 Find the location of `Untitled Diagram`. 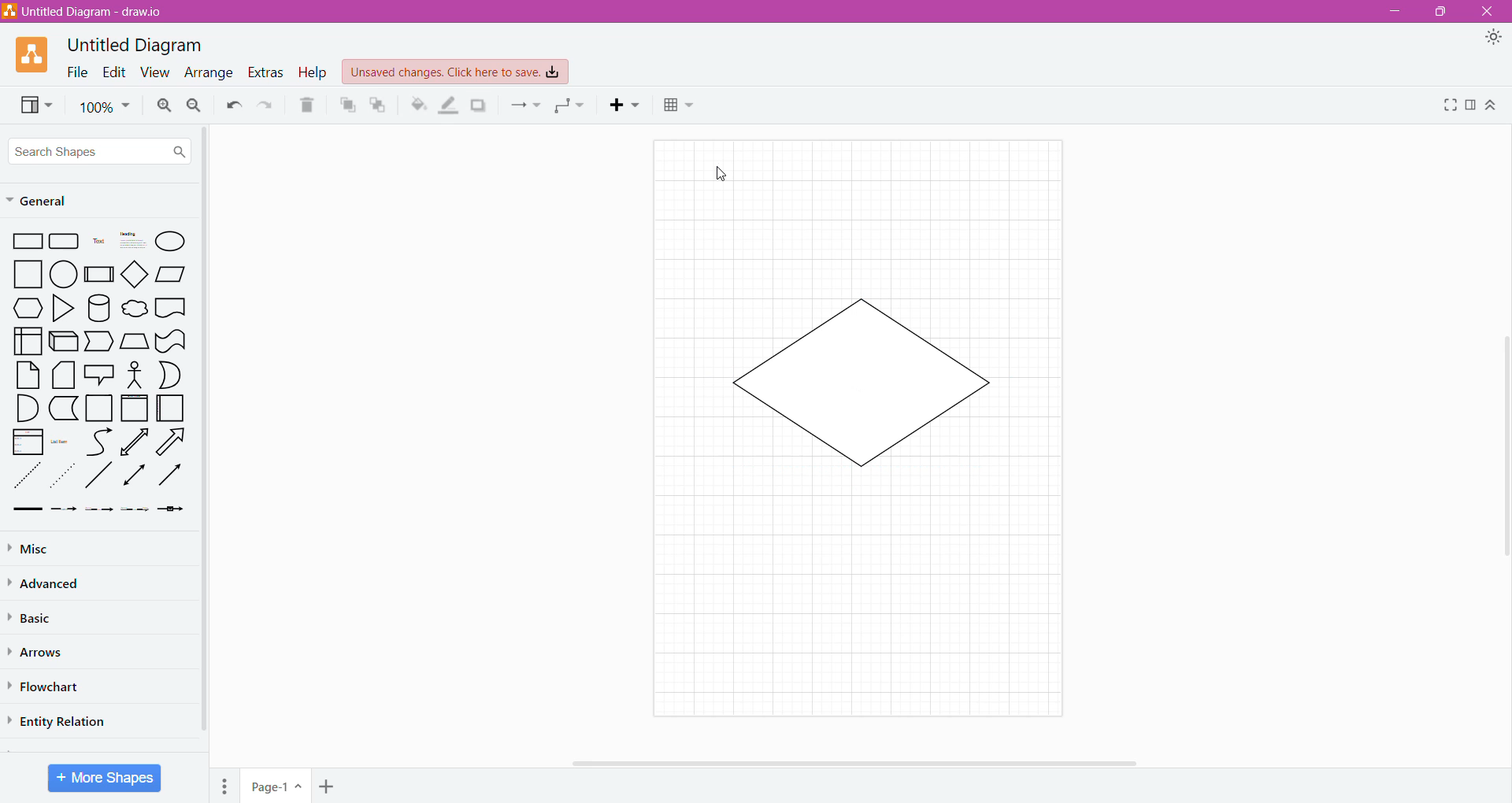

Untitled Diagram is located at coordinates (139, 44).